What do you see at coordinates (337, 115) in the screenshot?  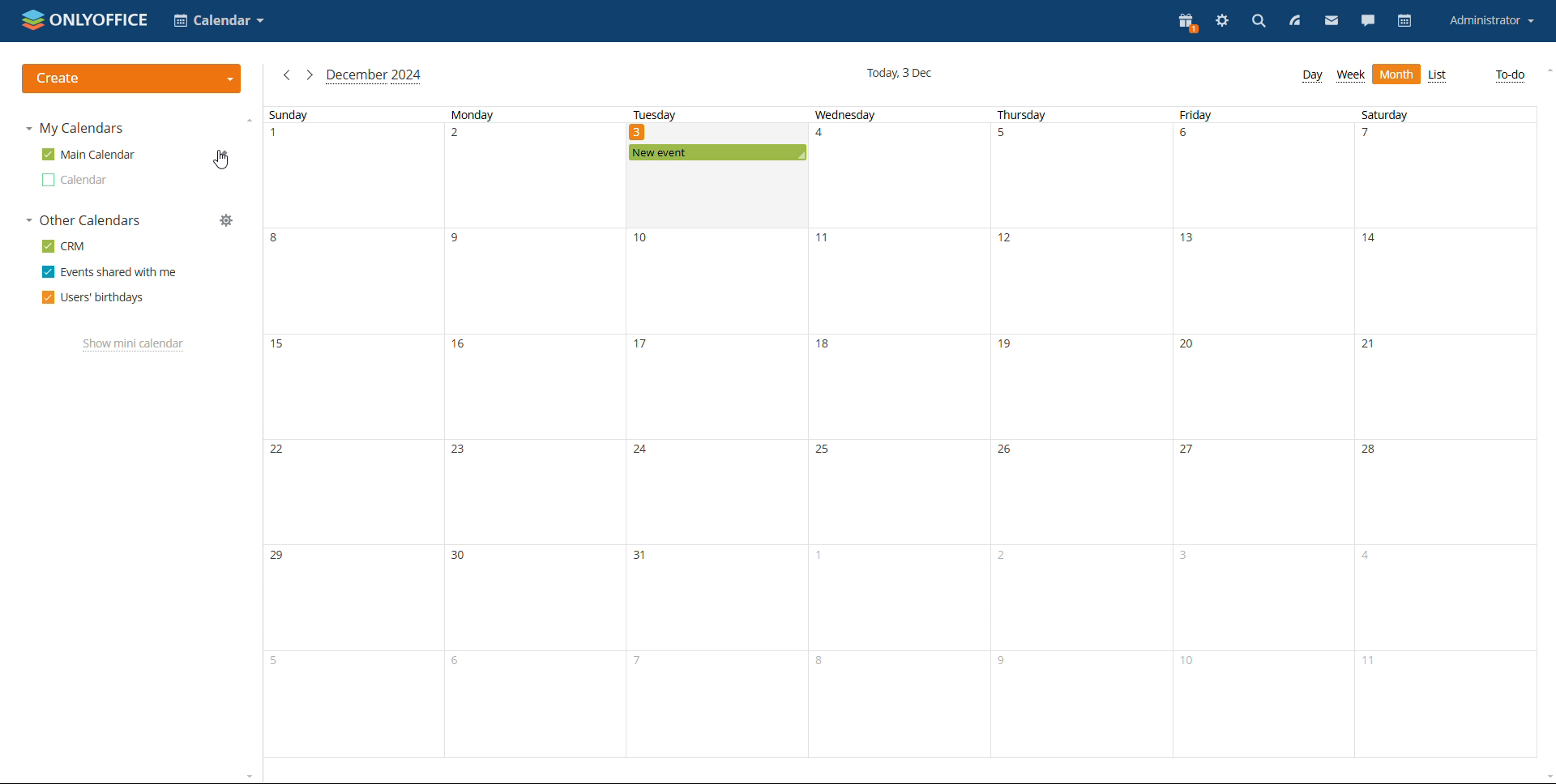 I see `sunday` at bounding box center [337, 115].